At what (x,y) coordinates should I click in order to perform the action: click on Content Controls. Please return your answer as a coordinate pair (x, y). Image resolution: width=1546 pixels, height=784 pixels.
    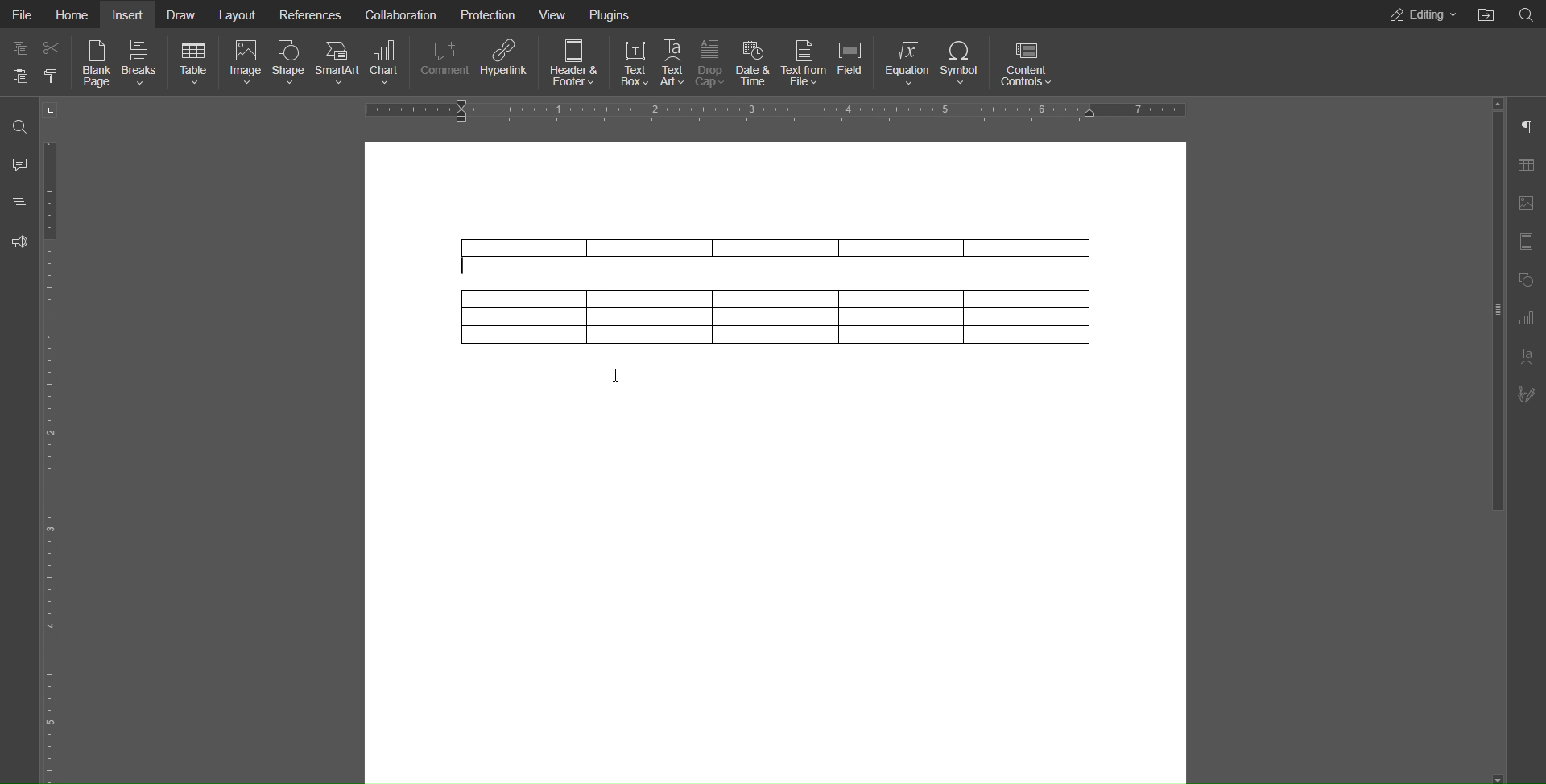
    Looking at the image, I should click on (1029, 62).